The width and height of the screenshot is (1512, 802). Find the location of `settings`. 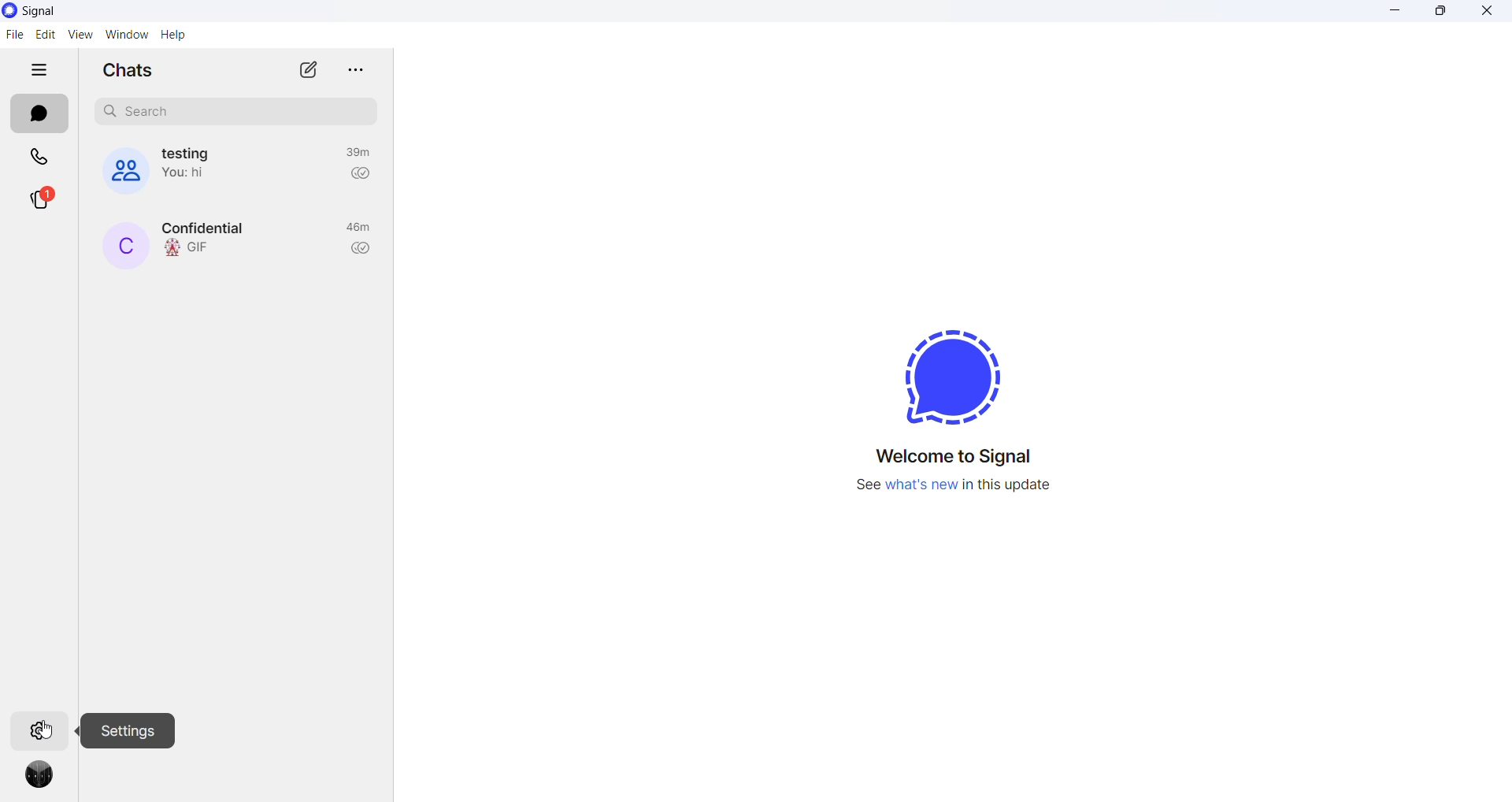

settings is located at coordinates (40, 733).